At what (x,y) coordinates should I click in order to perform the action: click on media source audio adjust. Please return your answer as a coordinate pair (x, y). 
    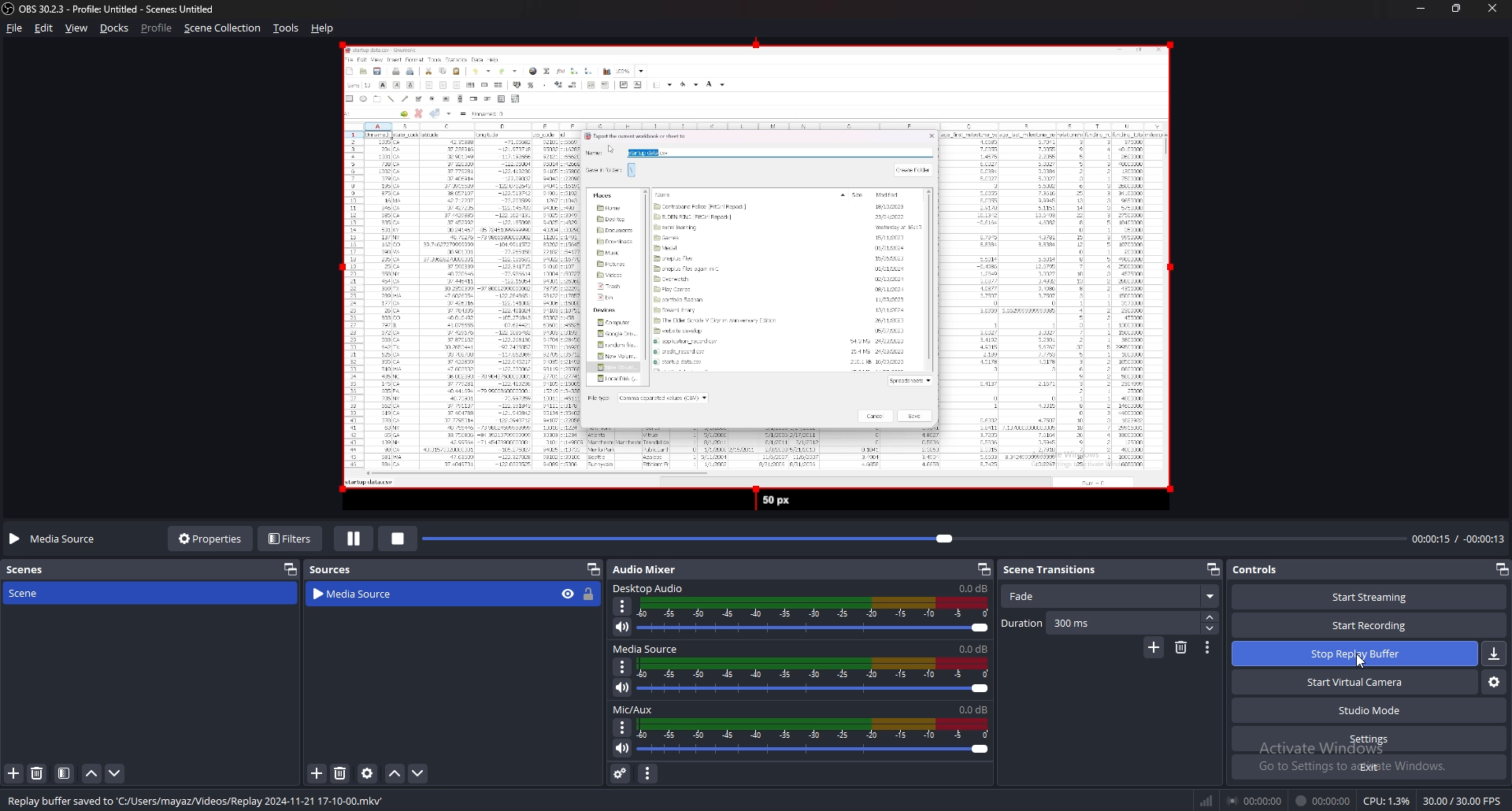
    Looking at the image, I should click on (816, 676).